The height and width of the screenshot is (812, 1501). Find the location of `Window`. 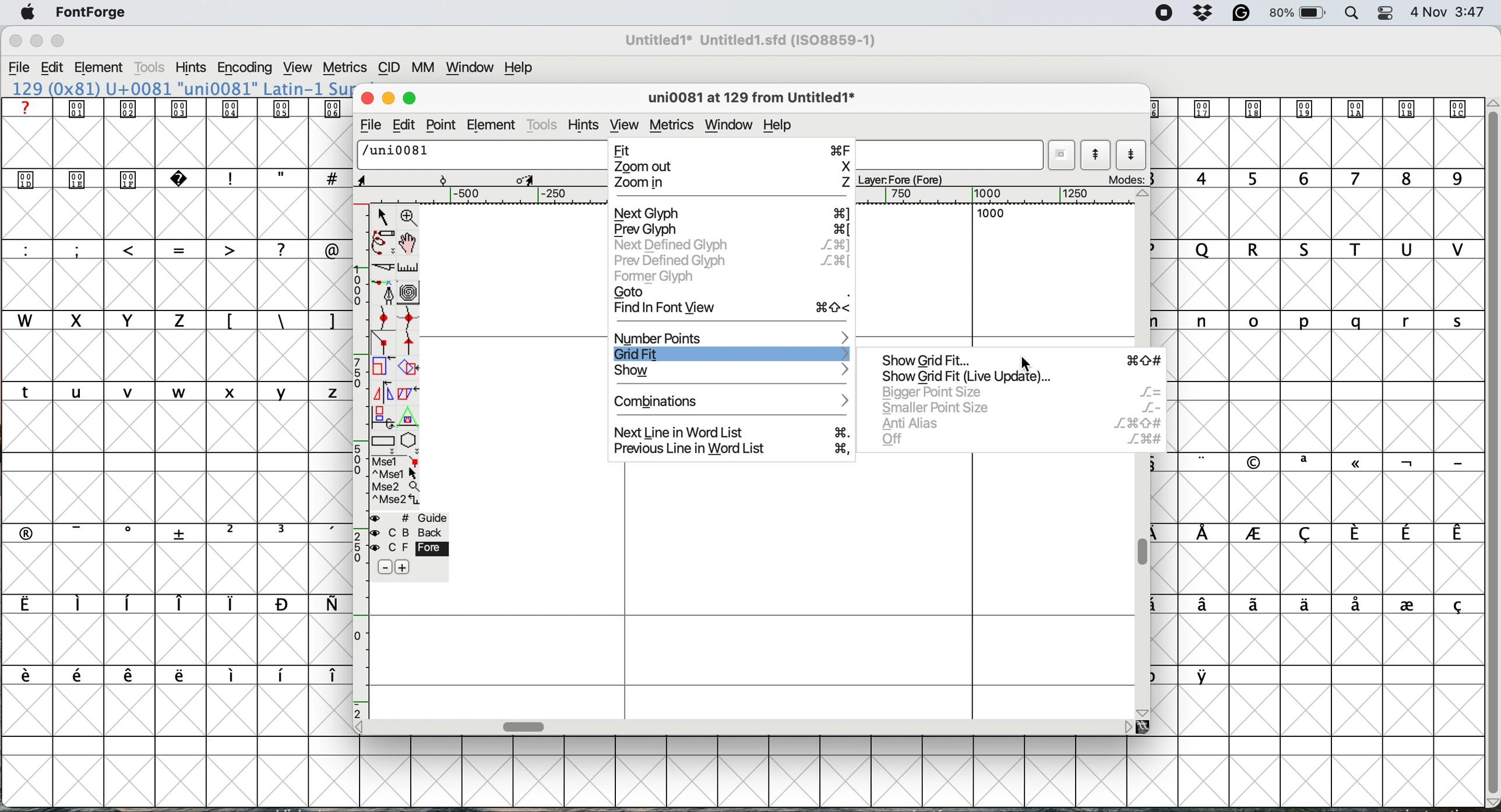

Window is located at coordinates (470, 69).